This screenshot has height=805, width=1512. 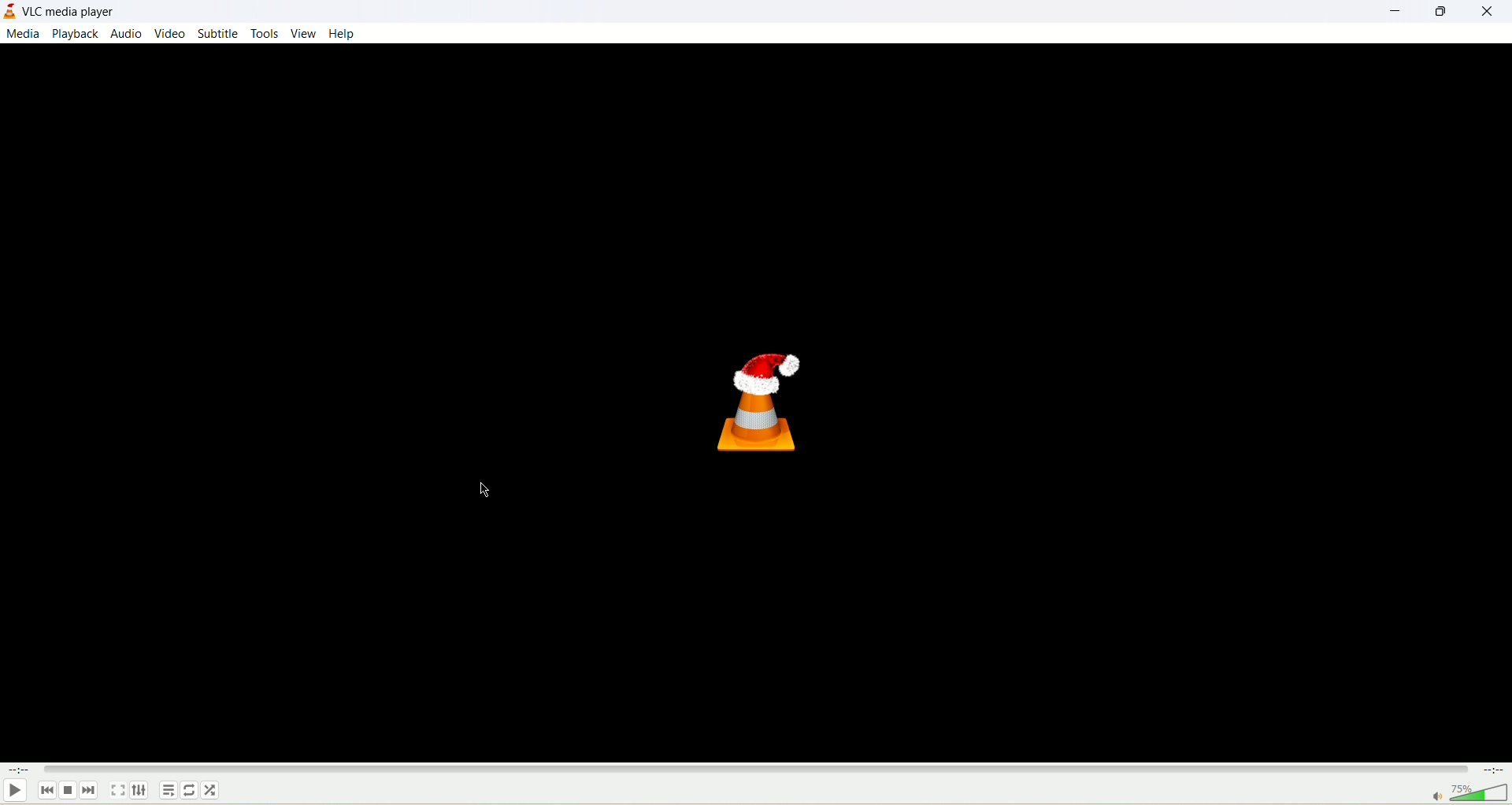 I want to click on application icon, so click(x=10, y=13).